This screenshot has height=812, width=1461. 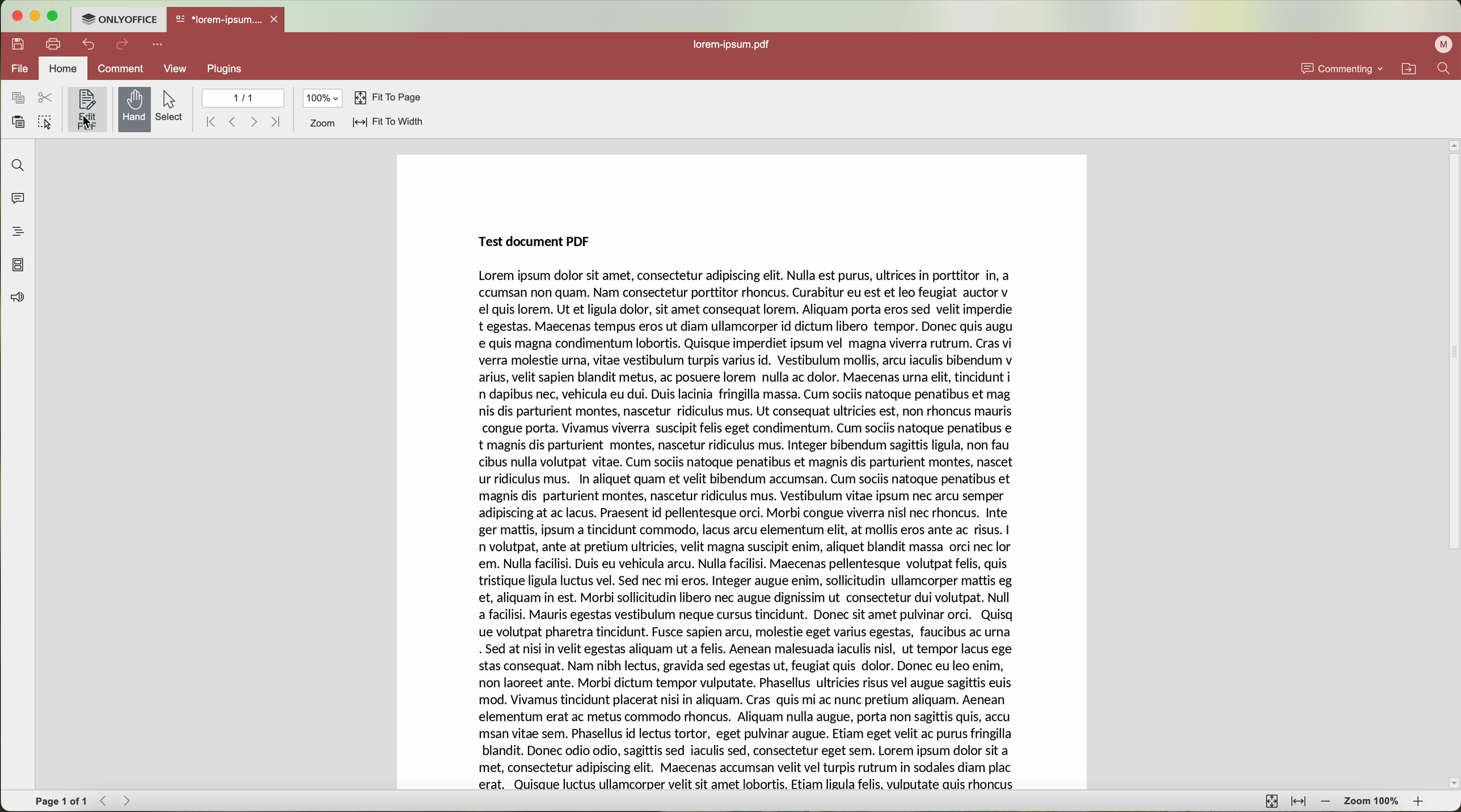 What do you see at coordinates (174, 106) in the screenshot?
I see `select` at bounding box center [174, 106].